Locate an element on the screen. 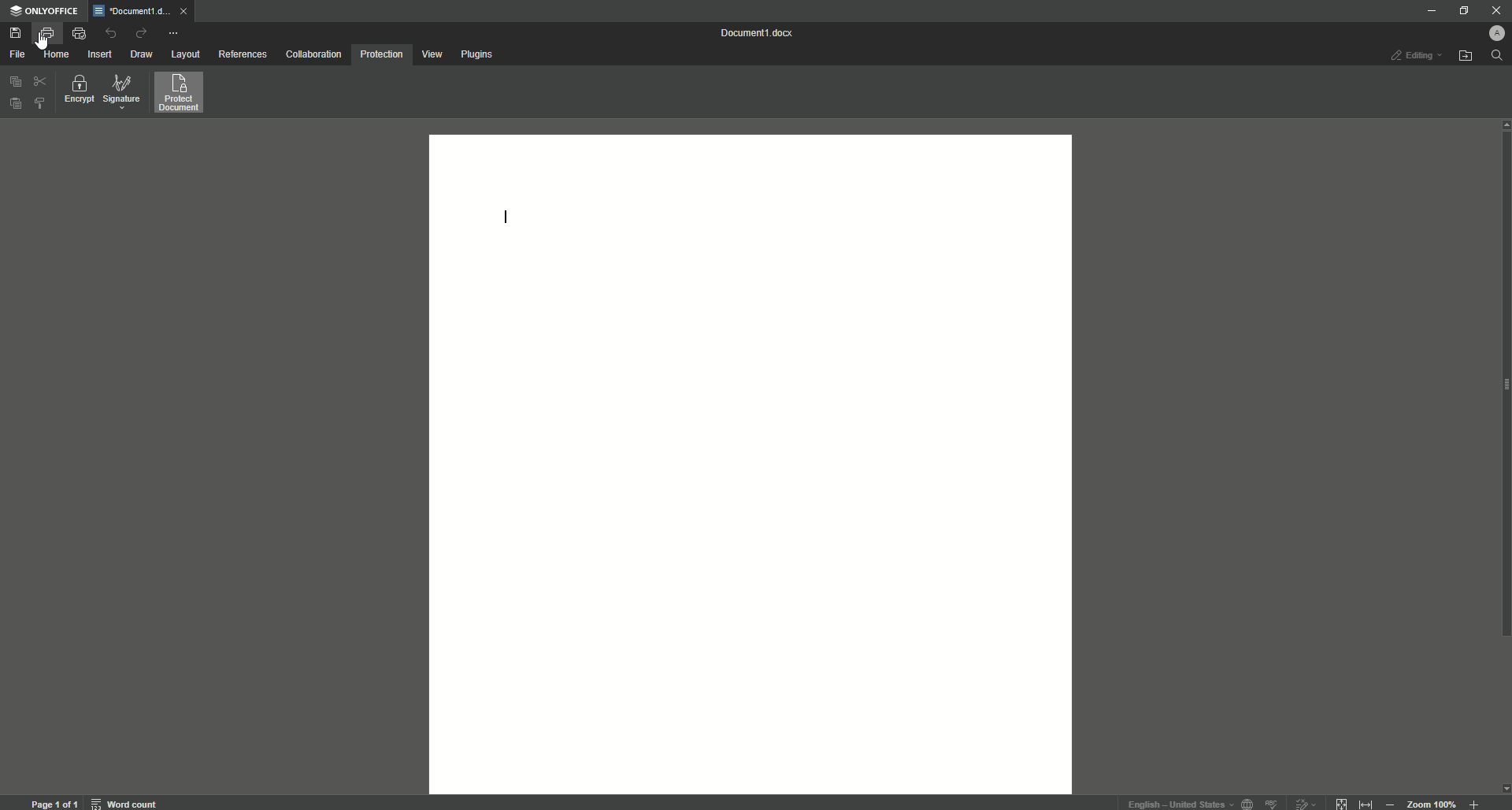 This screenshot has width=1512, height=810. ONLYOFFICE is located at coordinates (47, 12).